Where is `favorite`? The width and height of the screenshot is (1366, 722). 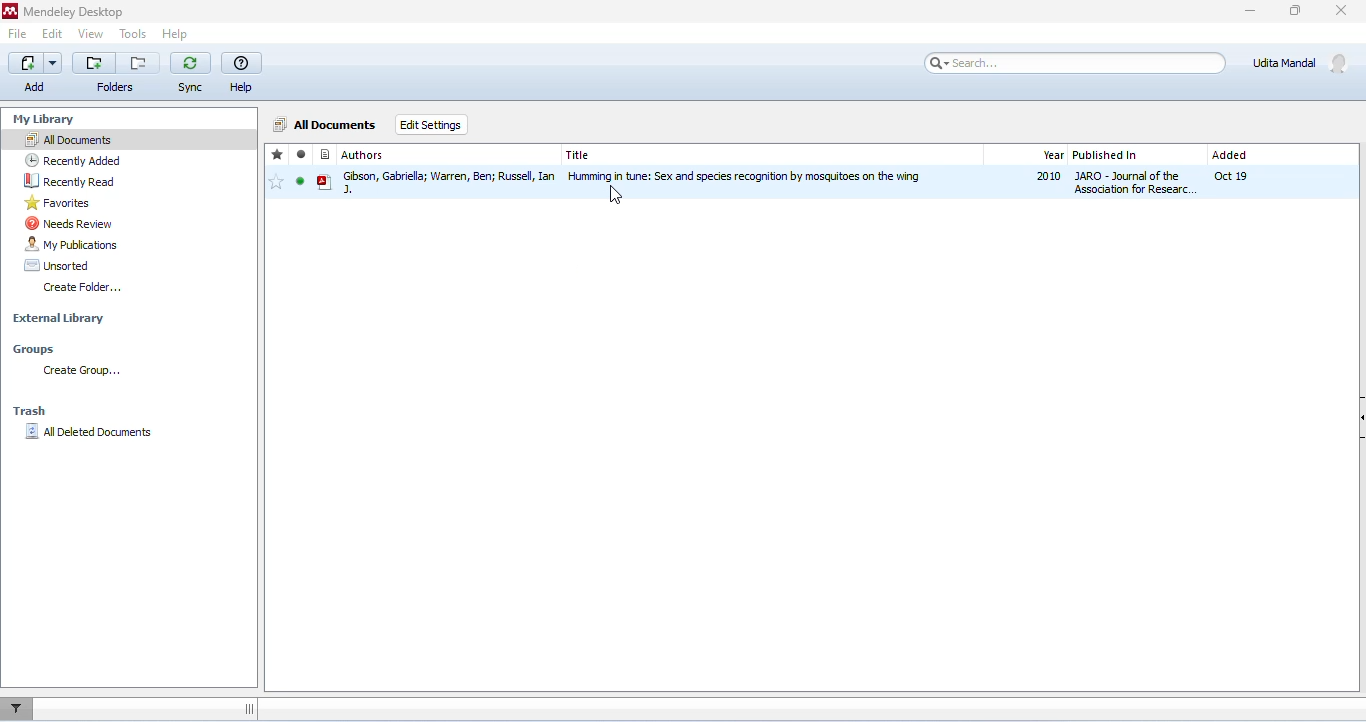 favorite is located at coordinates (279, 154).